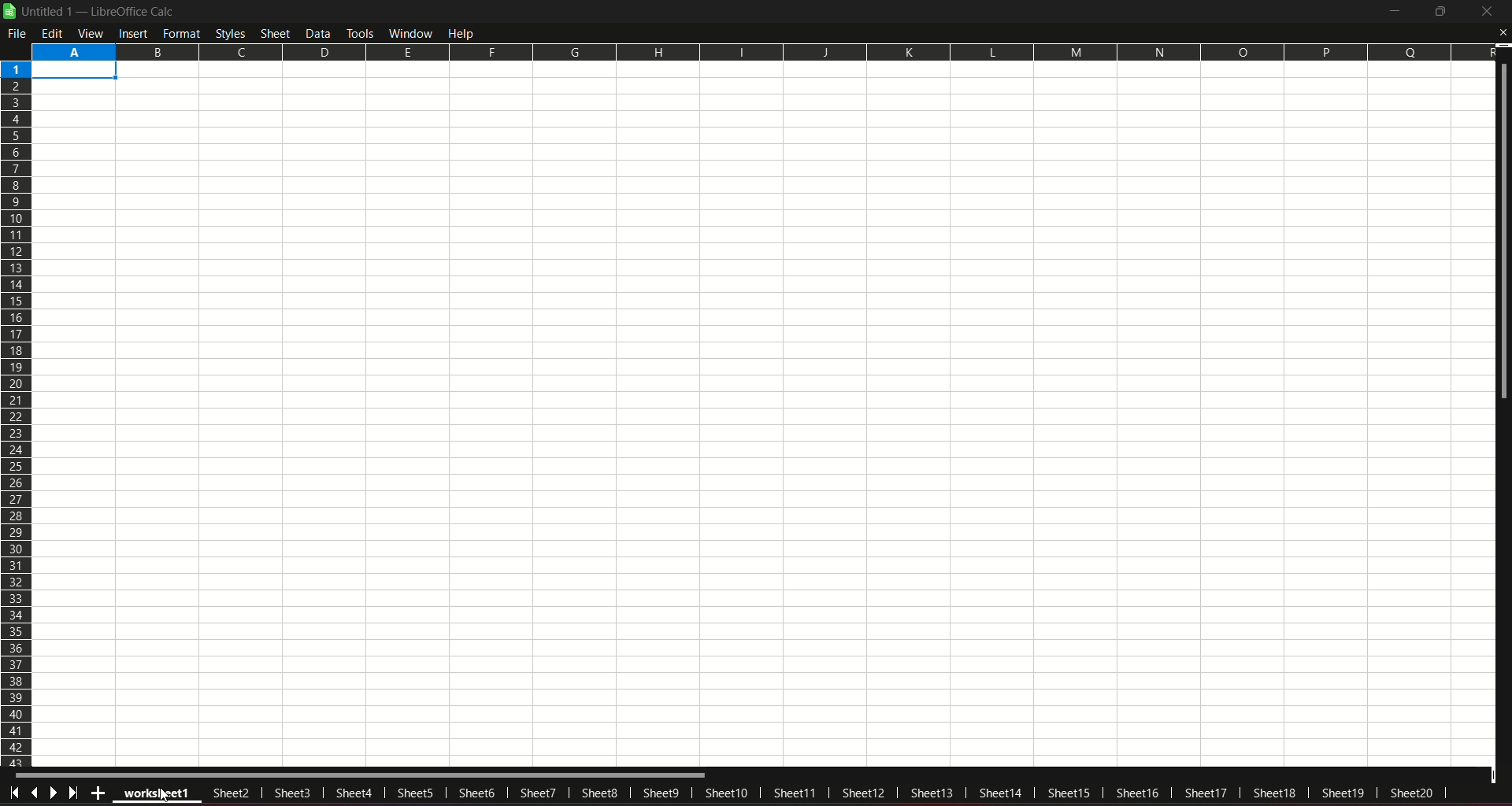  I want to click on Close, so click(1502, 33).